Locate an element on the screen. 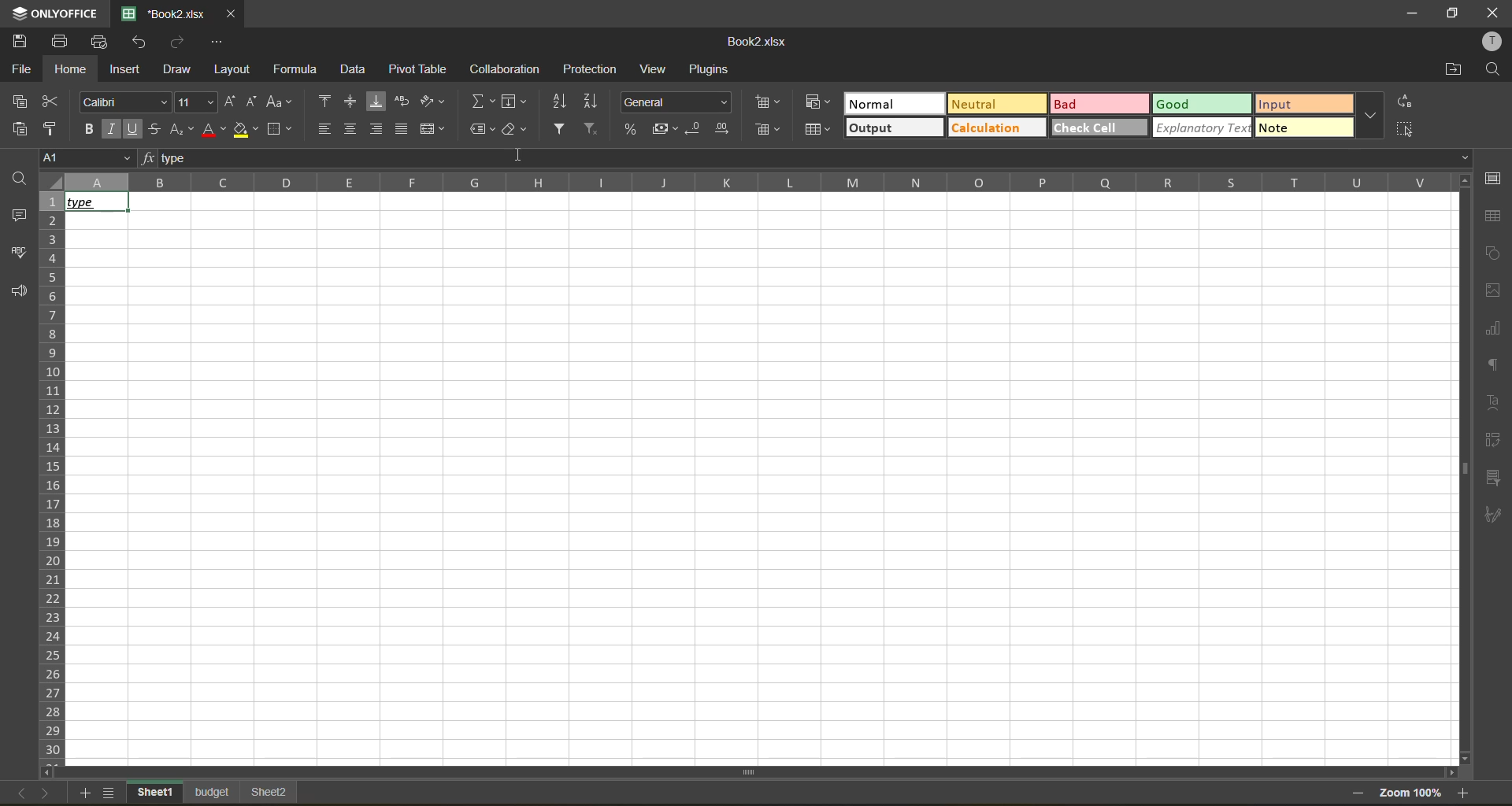 Image resolution: width=1512 pixels, height=806 pixels. file is located at coordinates (24, 67).